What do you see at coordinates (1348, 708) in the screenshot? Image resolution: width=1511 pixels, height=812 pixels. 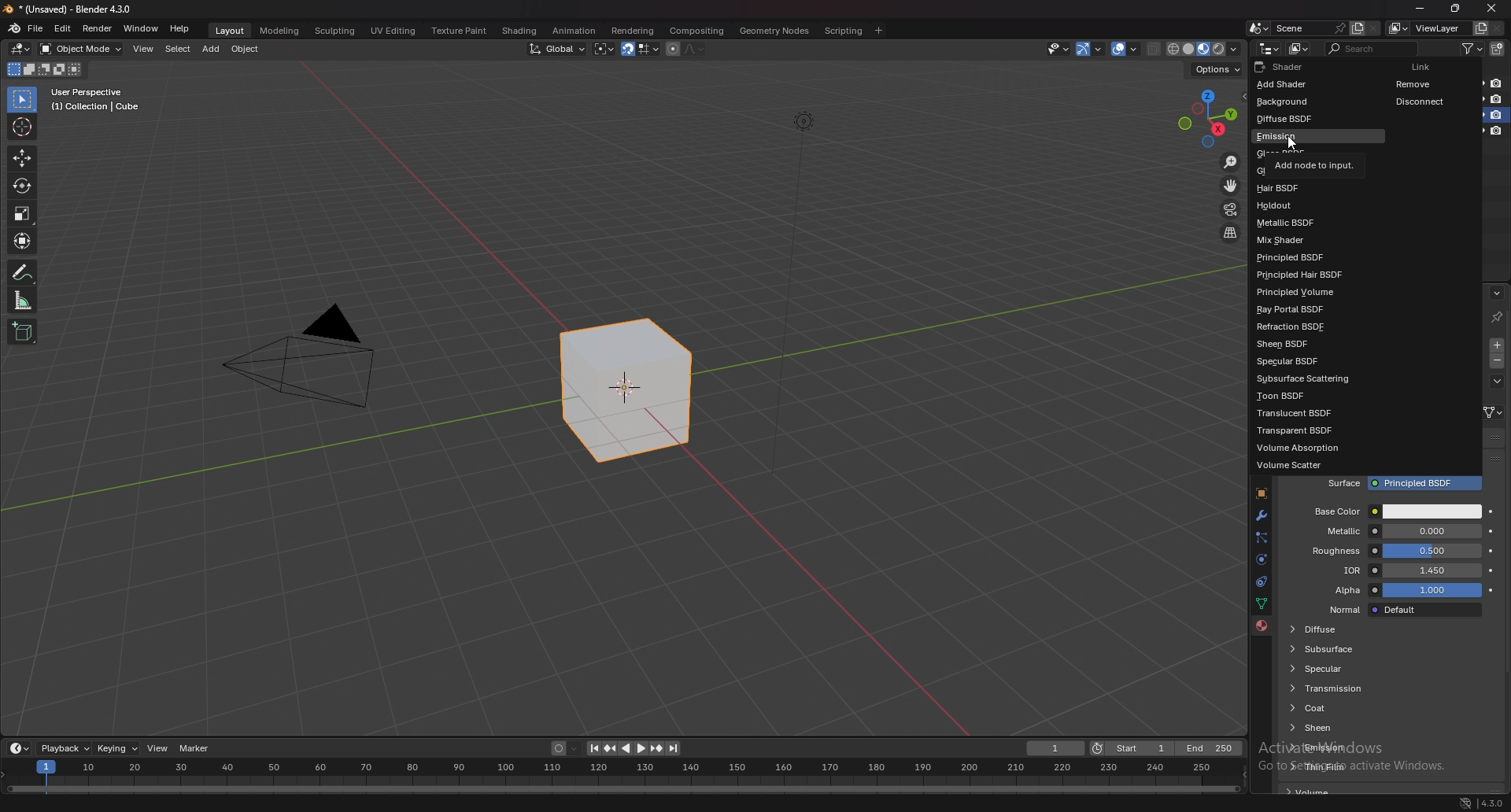 I see `coat` at bounding box center [1348, 708].